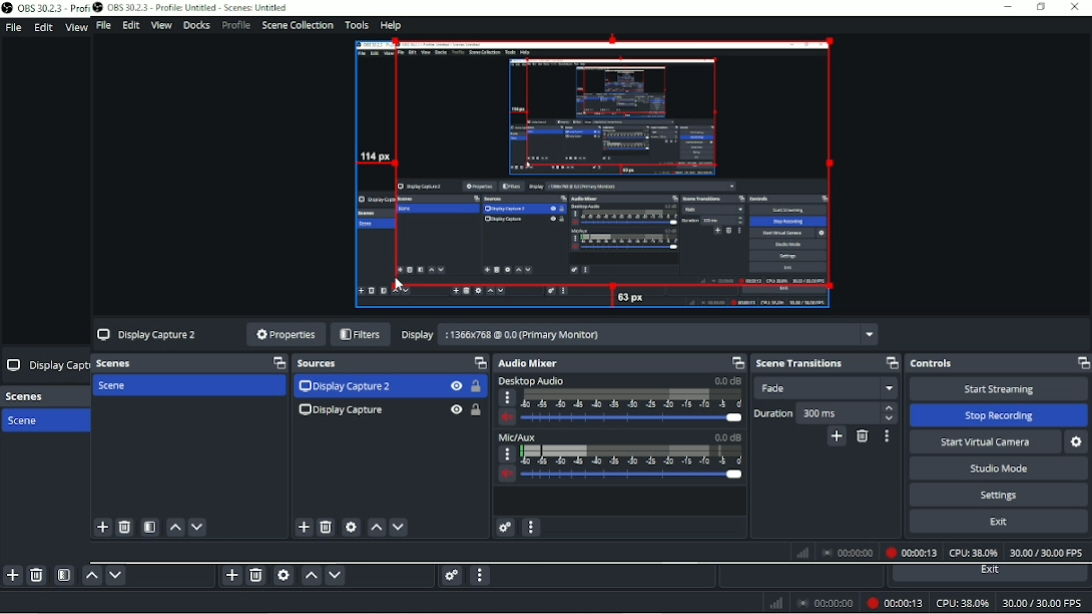 This screenshot has height=614, width=1092. Describe the element at coordinates (402, 528) in the screenshot. I see `Down` at that location.